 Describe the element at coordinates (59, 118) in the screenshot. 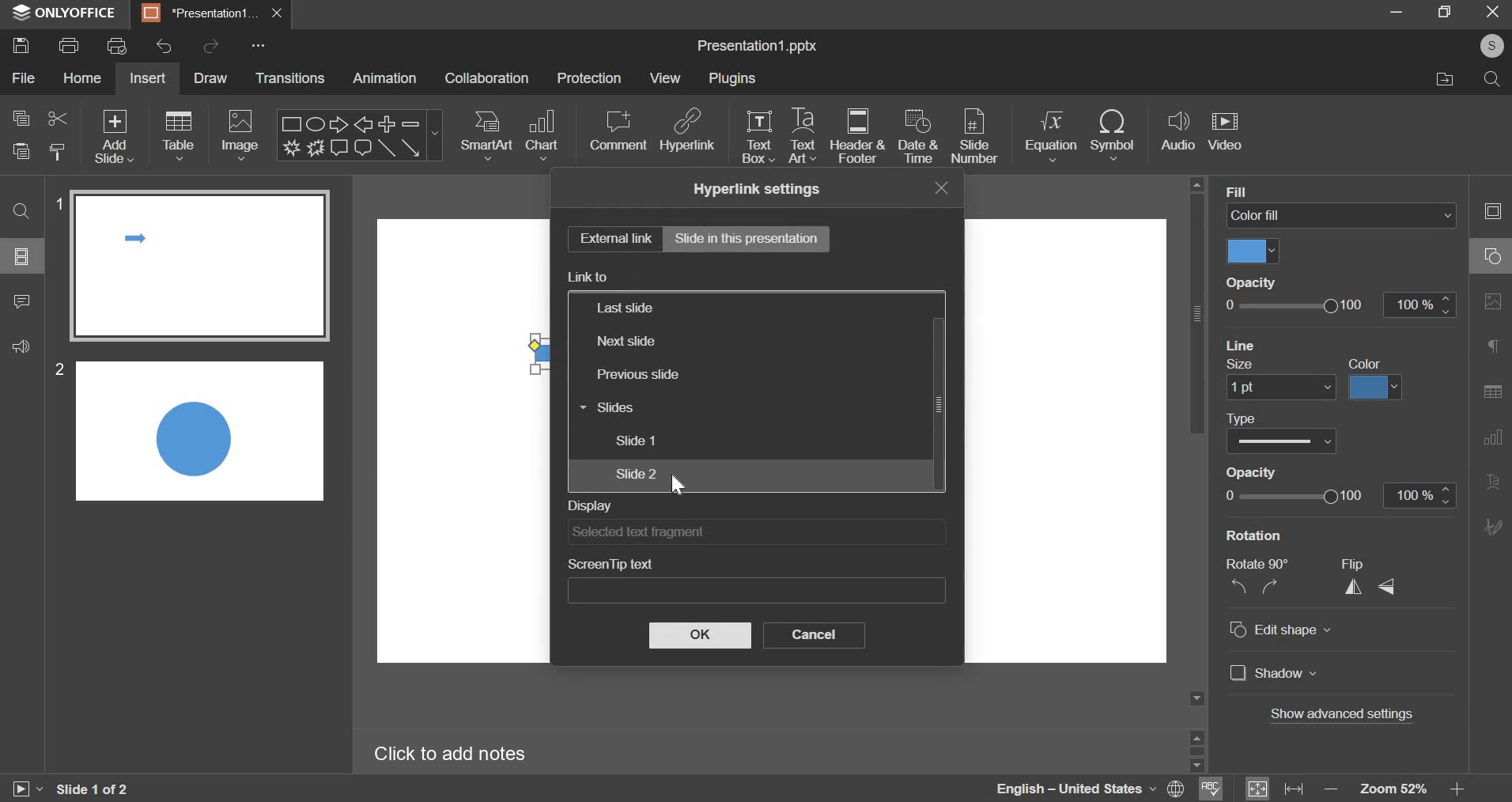

I see `cut` at that location.